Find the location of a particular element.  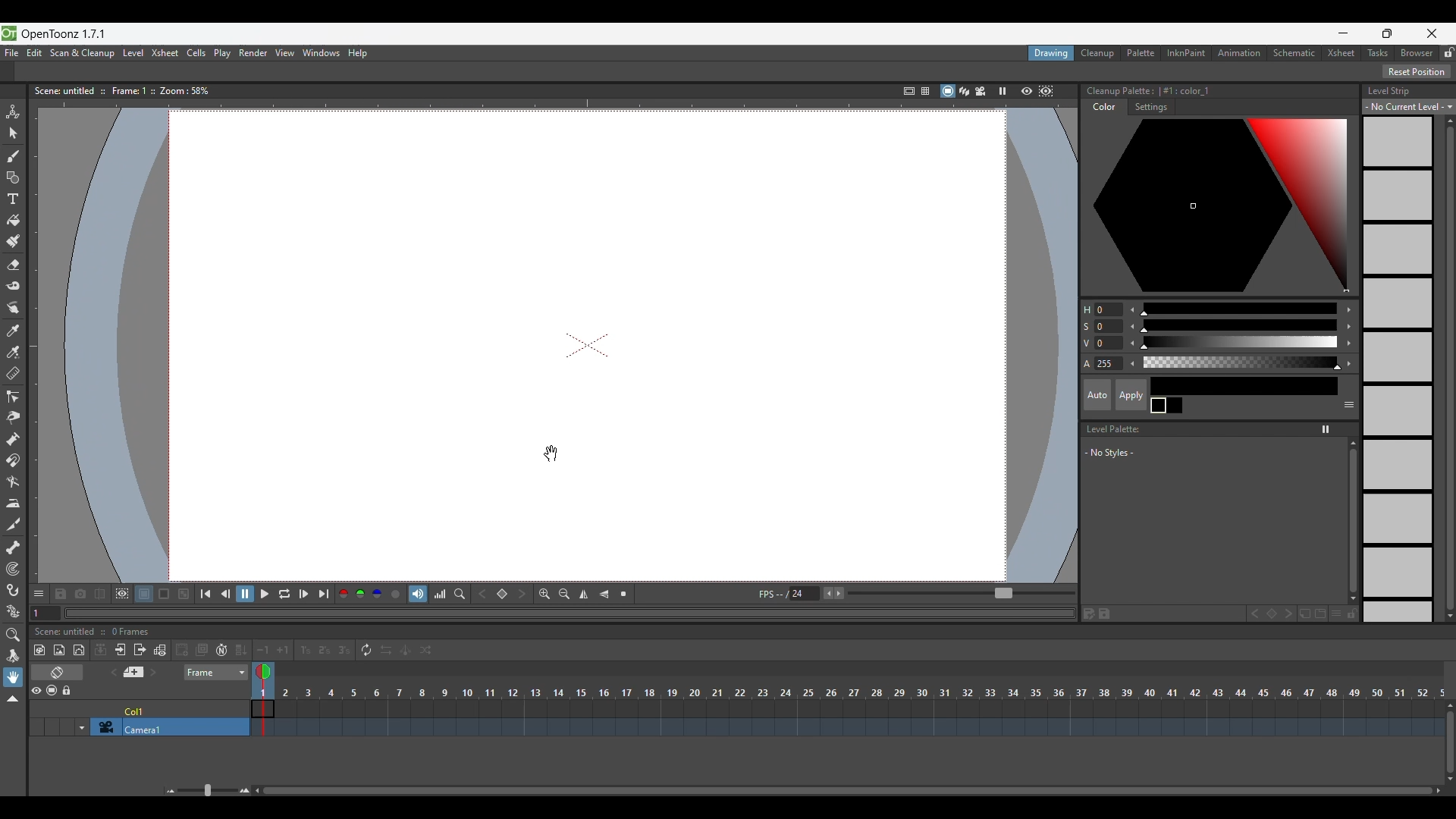

Scence untitled :: 0 Frames is located at coordinates (89, 632).